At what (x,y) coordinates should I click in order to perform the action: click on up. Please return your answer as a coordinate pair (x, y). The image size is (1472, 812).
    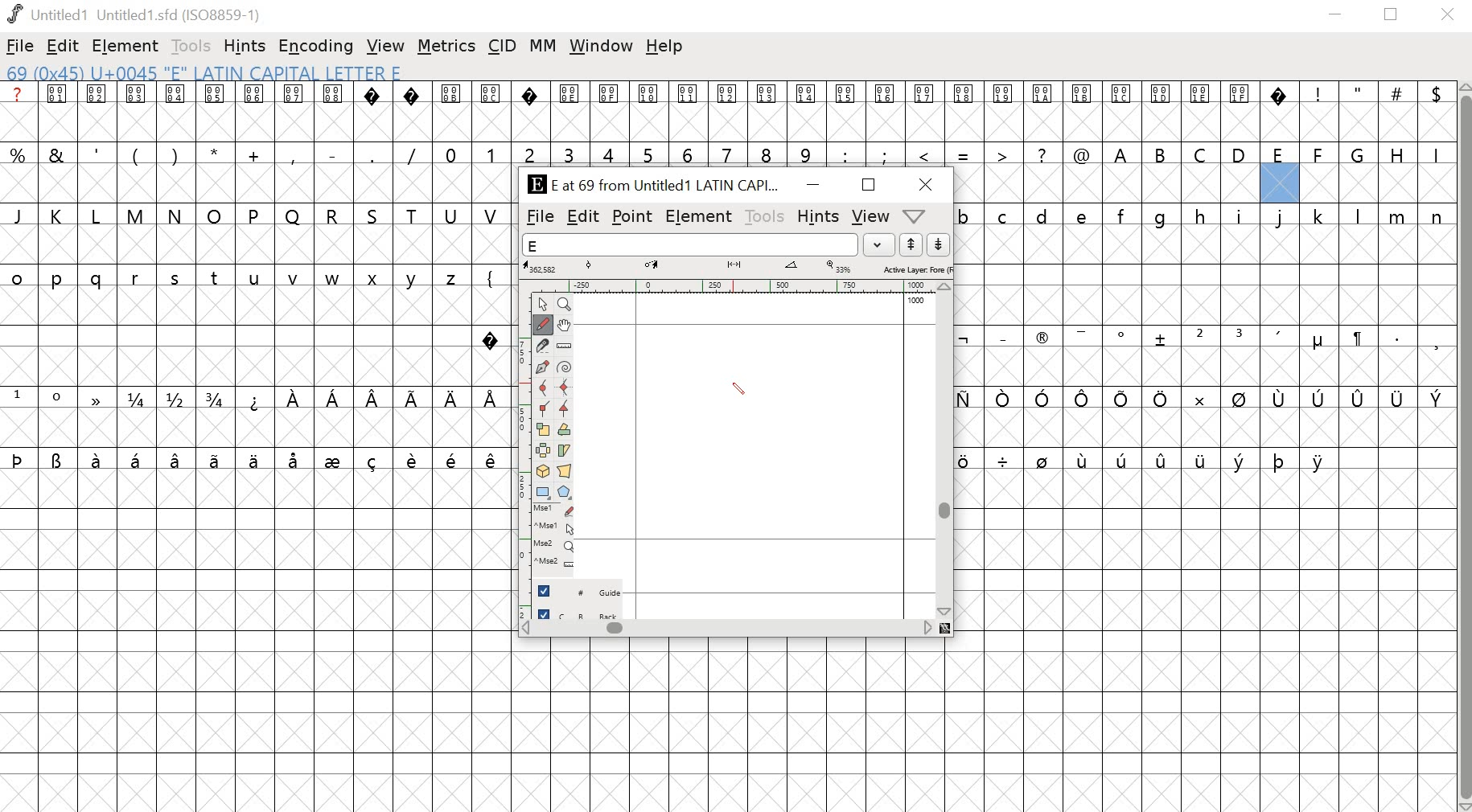
    Looking at the image, I should click on (911, 244).